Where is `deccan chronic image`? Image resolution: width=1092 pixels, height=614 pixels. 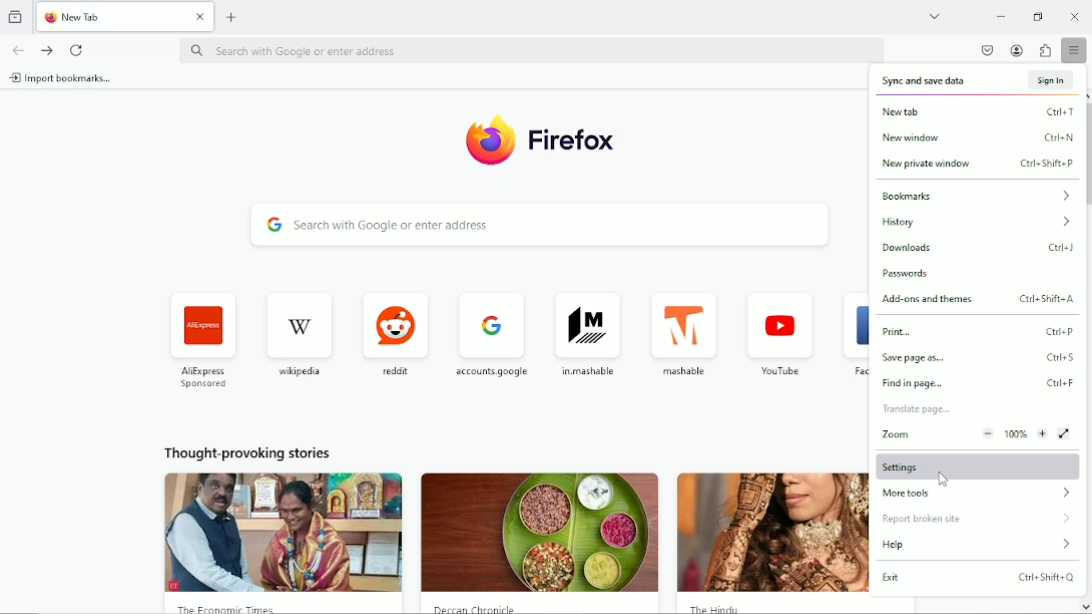
deccan chronic image is located at coordinates (540, 531).